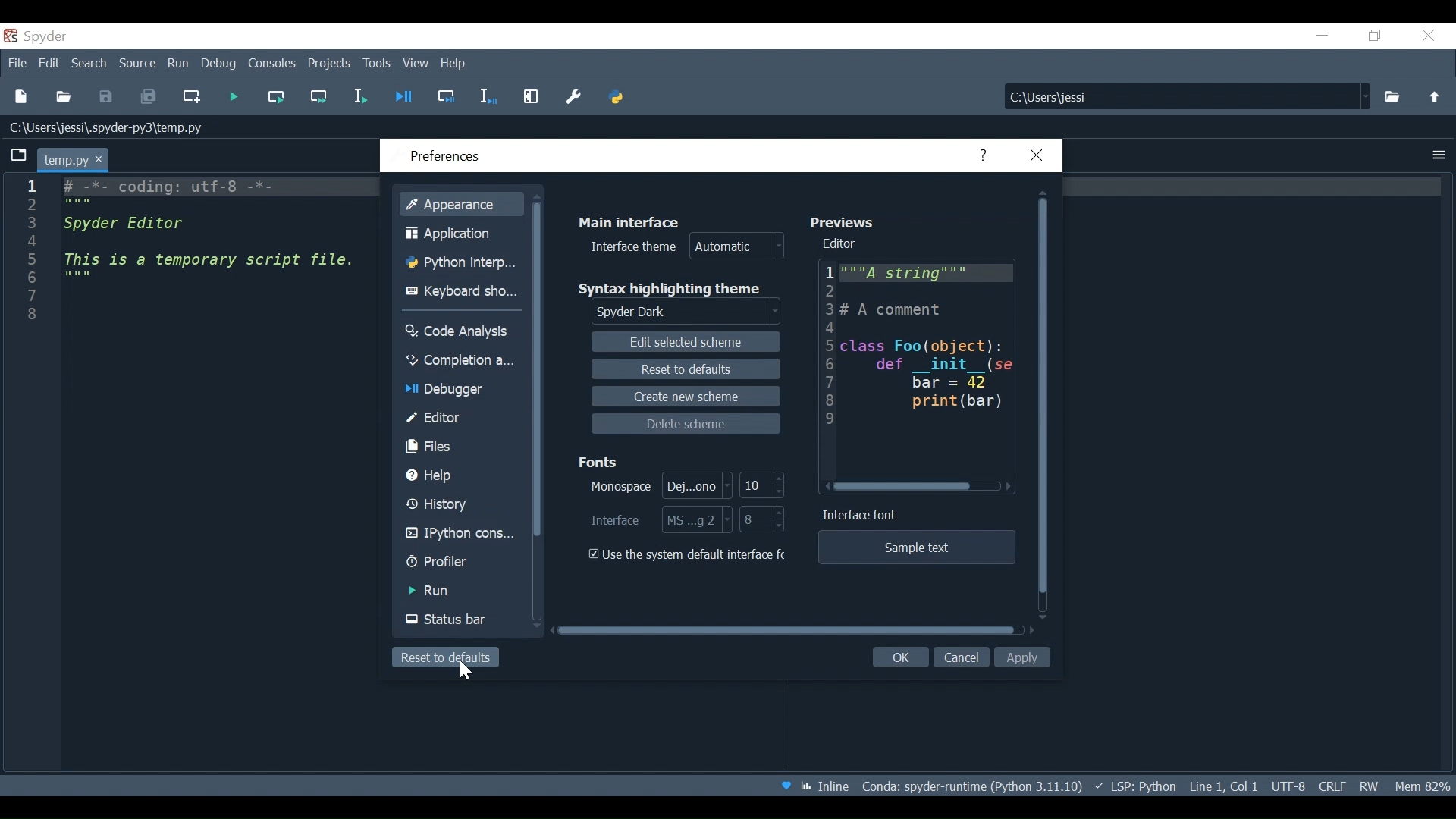  I want to click on Tools, so click(375, 64).